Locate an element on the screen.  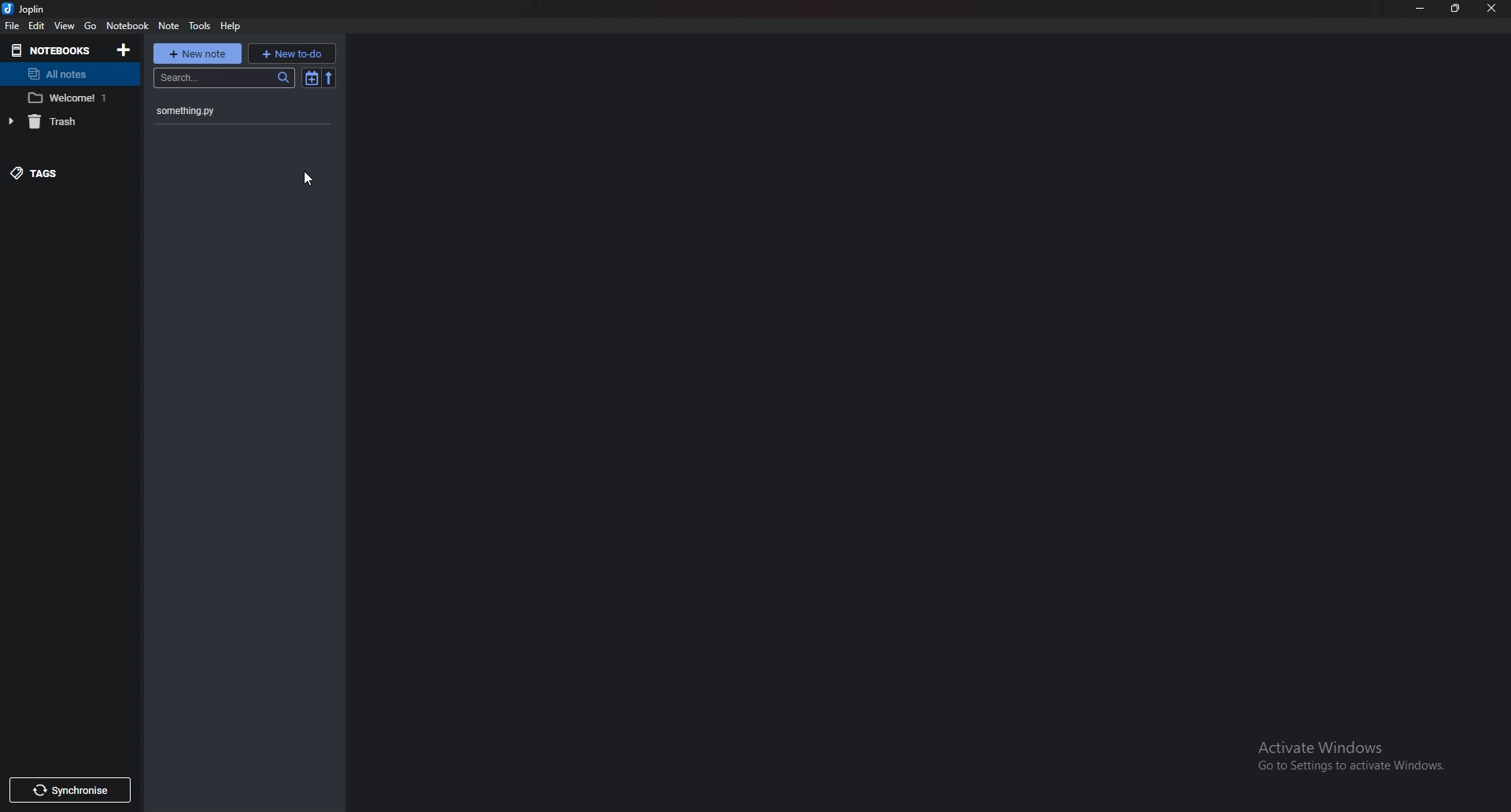
Add notebooks is located at coordinates (125, 50).